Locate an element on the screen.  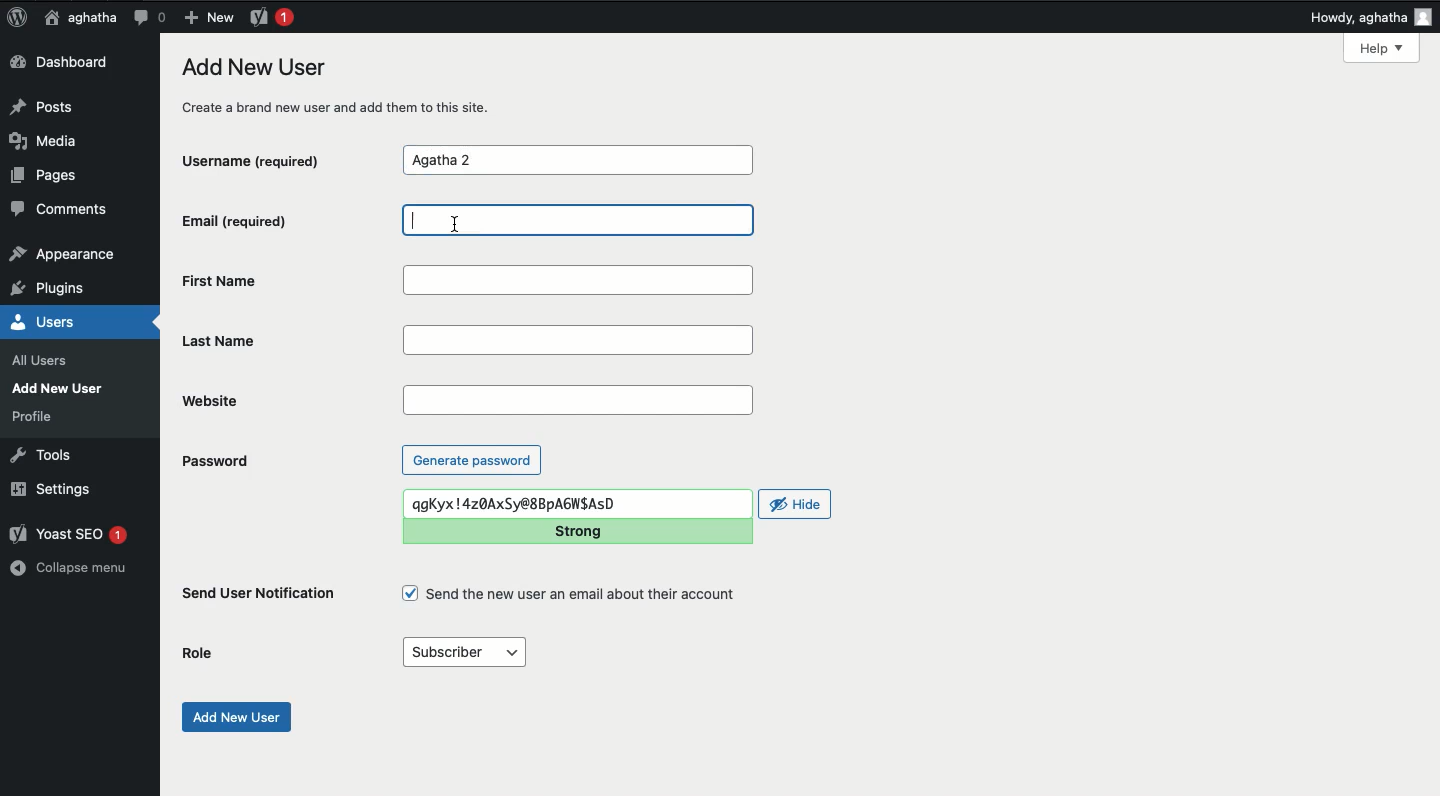
plugins is located at coordinates (58, 289).